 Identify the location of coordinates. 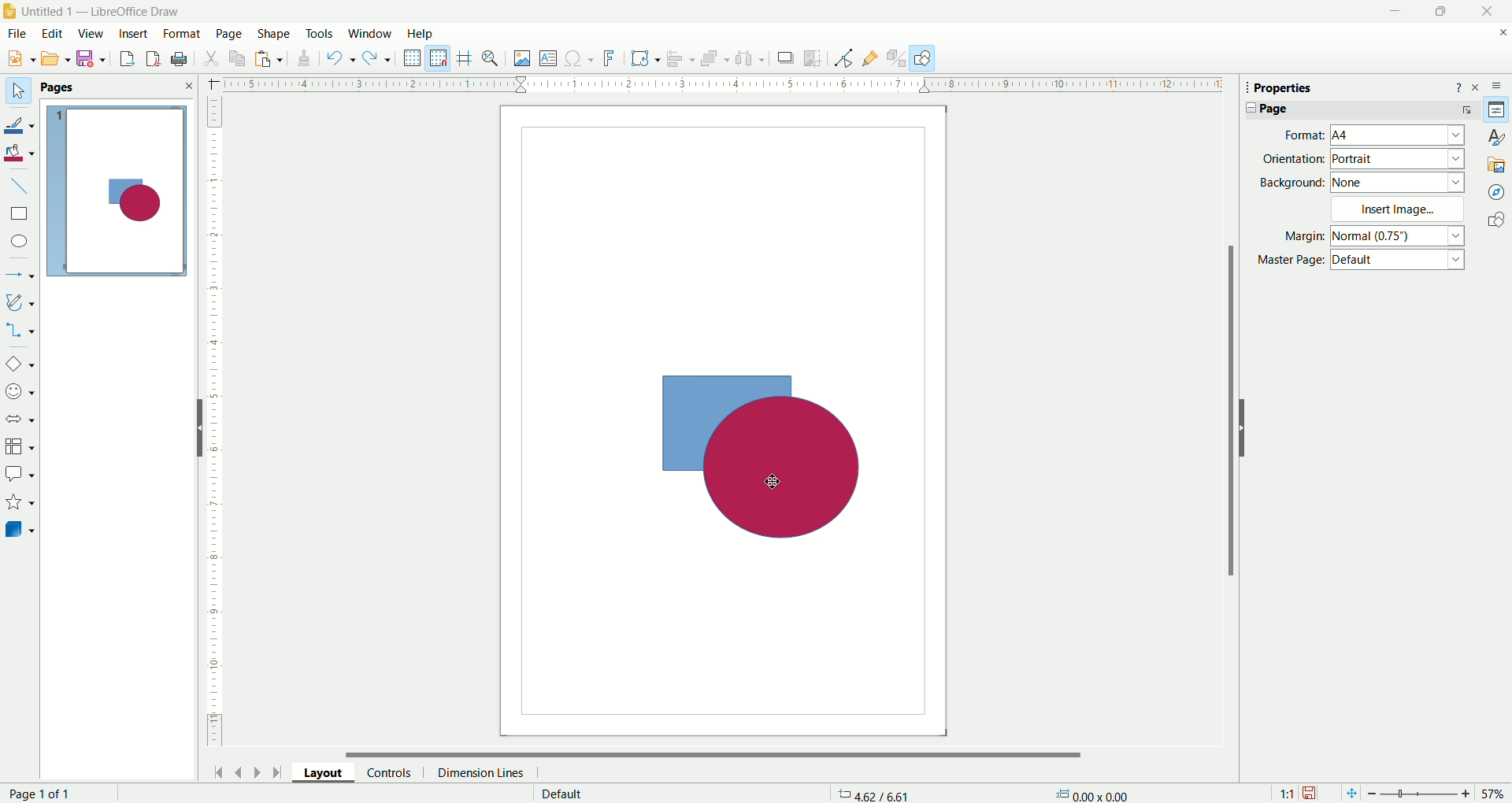
(864, 790).